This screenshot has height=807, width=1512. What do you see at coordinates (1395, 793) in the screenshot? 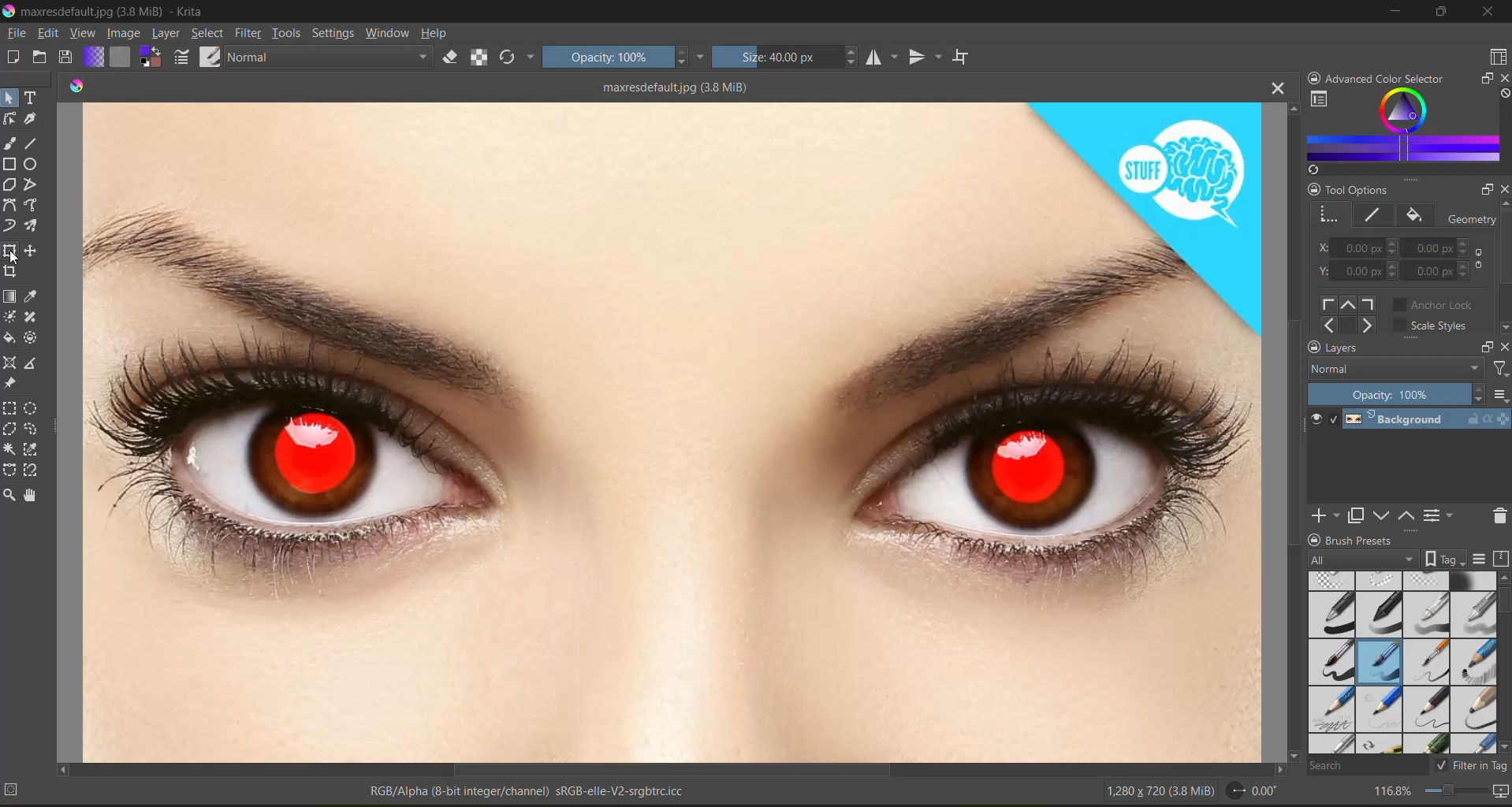
I see `zoom factor` at bounding box center [1395, 793].